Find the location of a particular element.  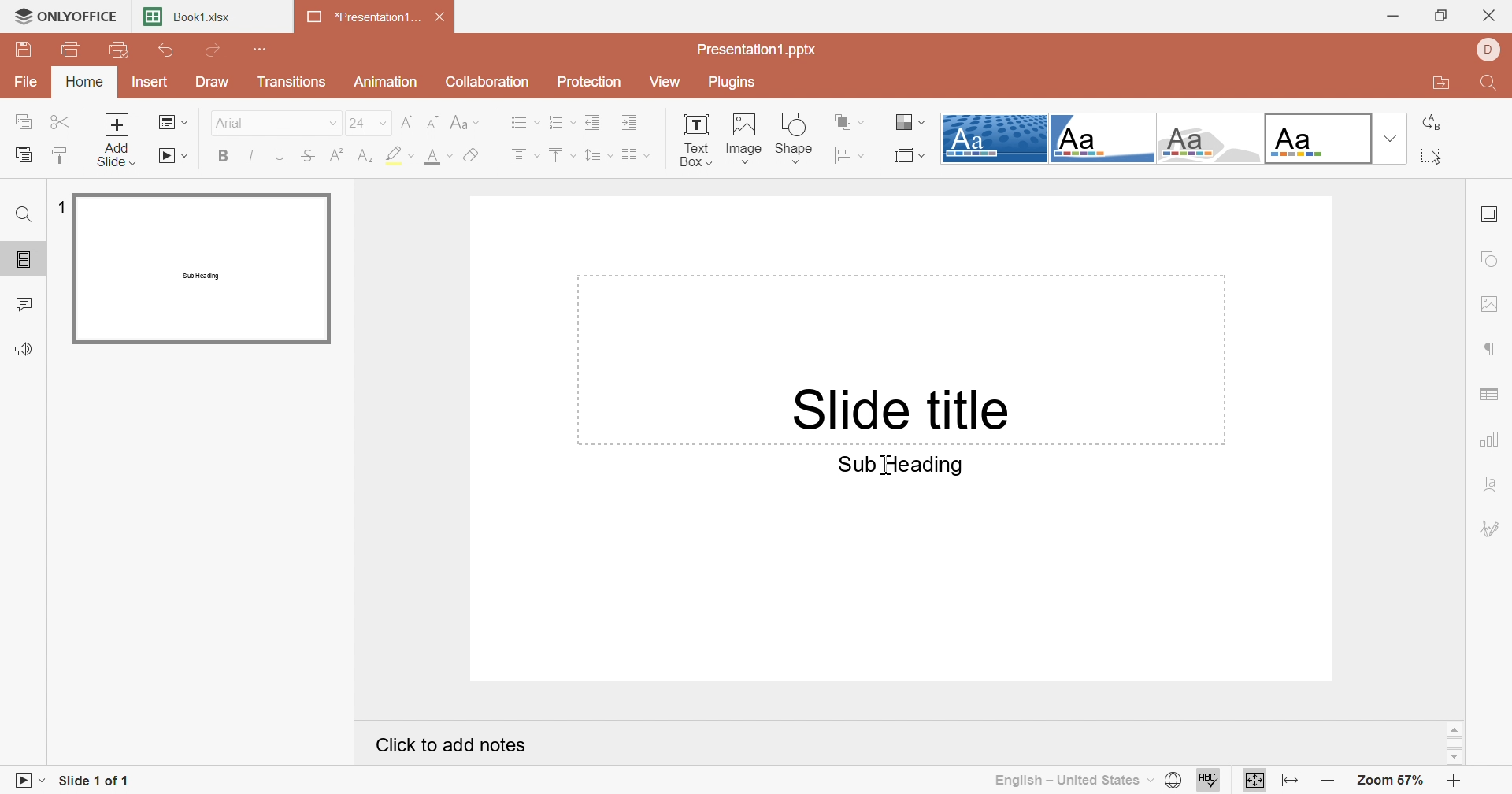

Increase Indent is located at coordinates (629, 121).